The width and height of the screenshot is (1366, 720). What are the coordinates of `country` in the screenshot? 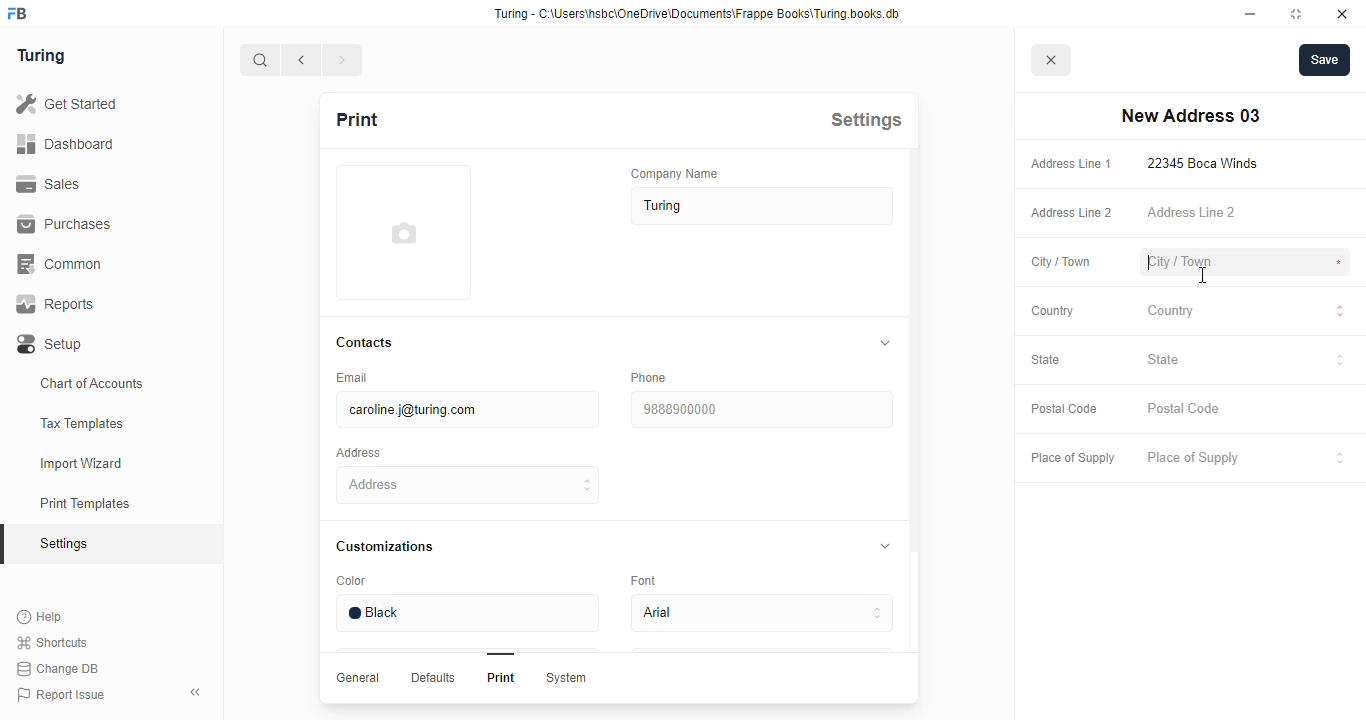 It's located at (1053, 311).